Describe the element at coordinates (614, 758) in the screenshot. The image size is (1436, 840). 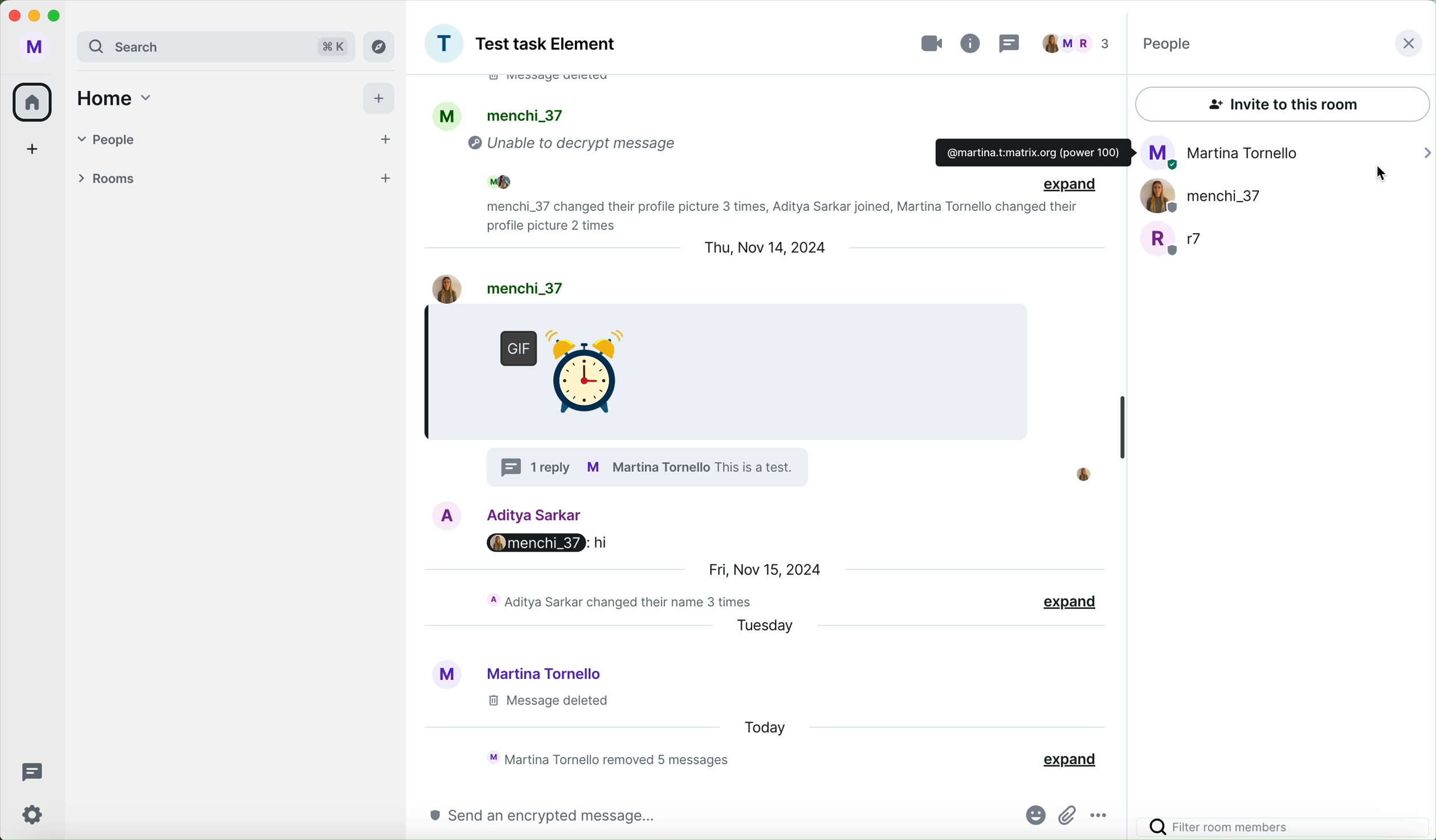
I see `activity chat` at that location.